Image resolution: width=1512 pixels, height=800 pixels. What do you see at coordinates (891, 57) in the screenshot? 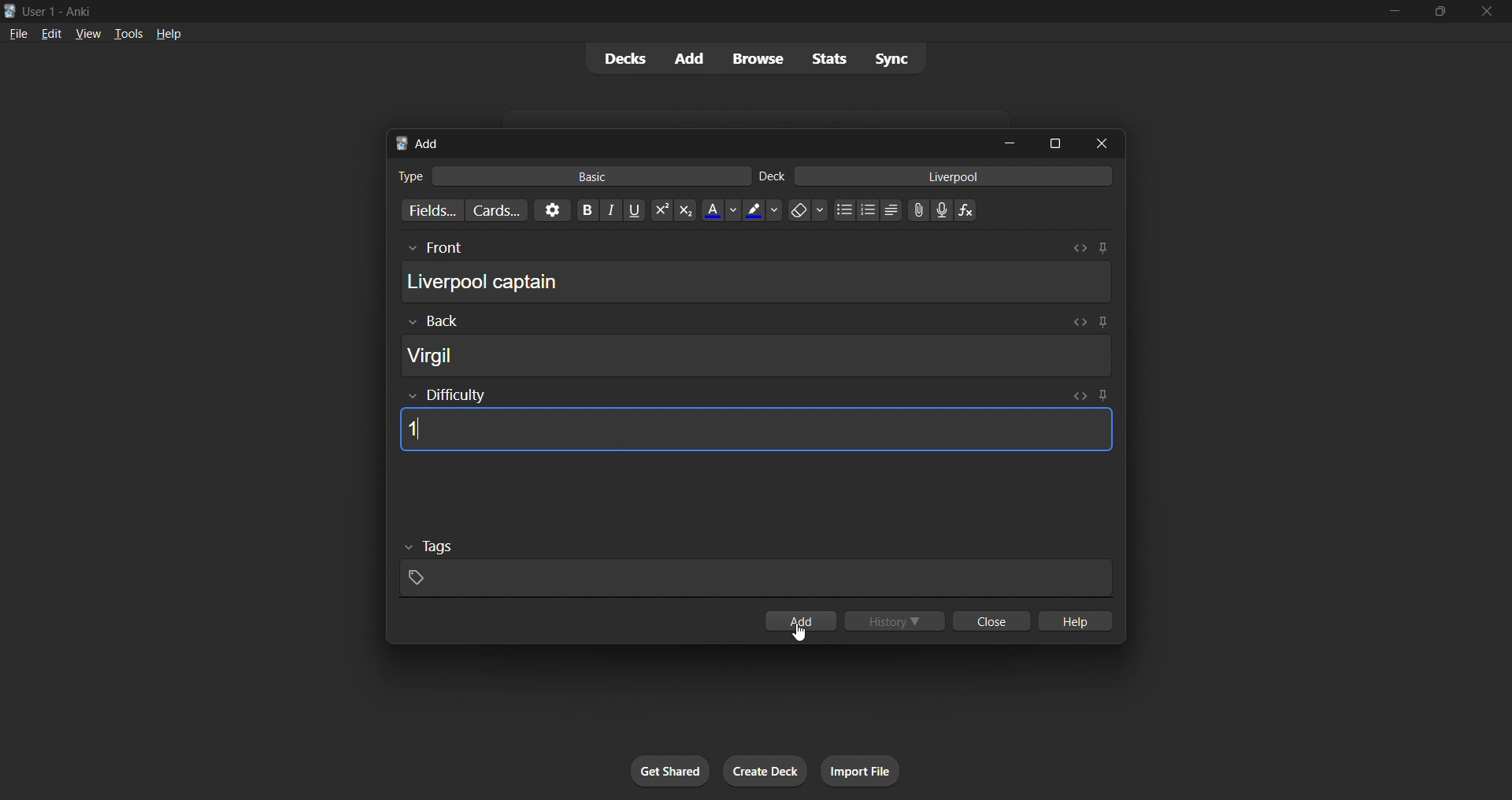
I see `sync` at bounding box center [891, 57].